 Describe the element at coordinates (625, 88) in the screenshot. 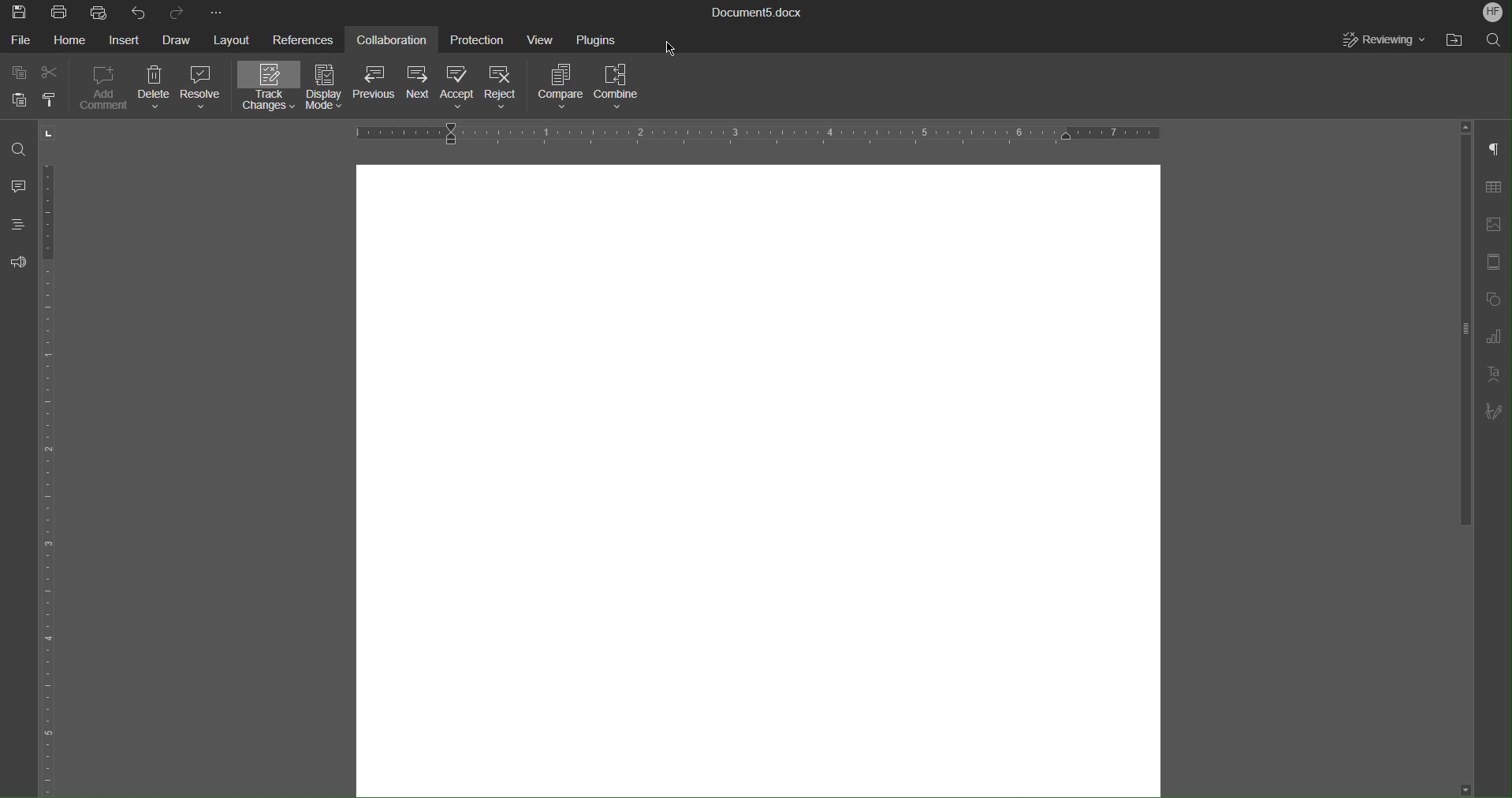

I see `Combine` at that location.